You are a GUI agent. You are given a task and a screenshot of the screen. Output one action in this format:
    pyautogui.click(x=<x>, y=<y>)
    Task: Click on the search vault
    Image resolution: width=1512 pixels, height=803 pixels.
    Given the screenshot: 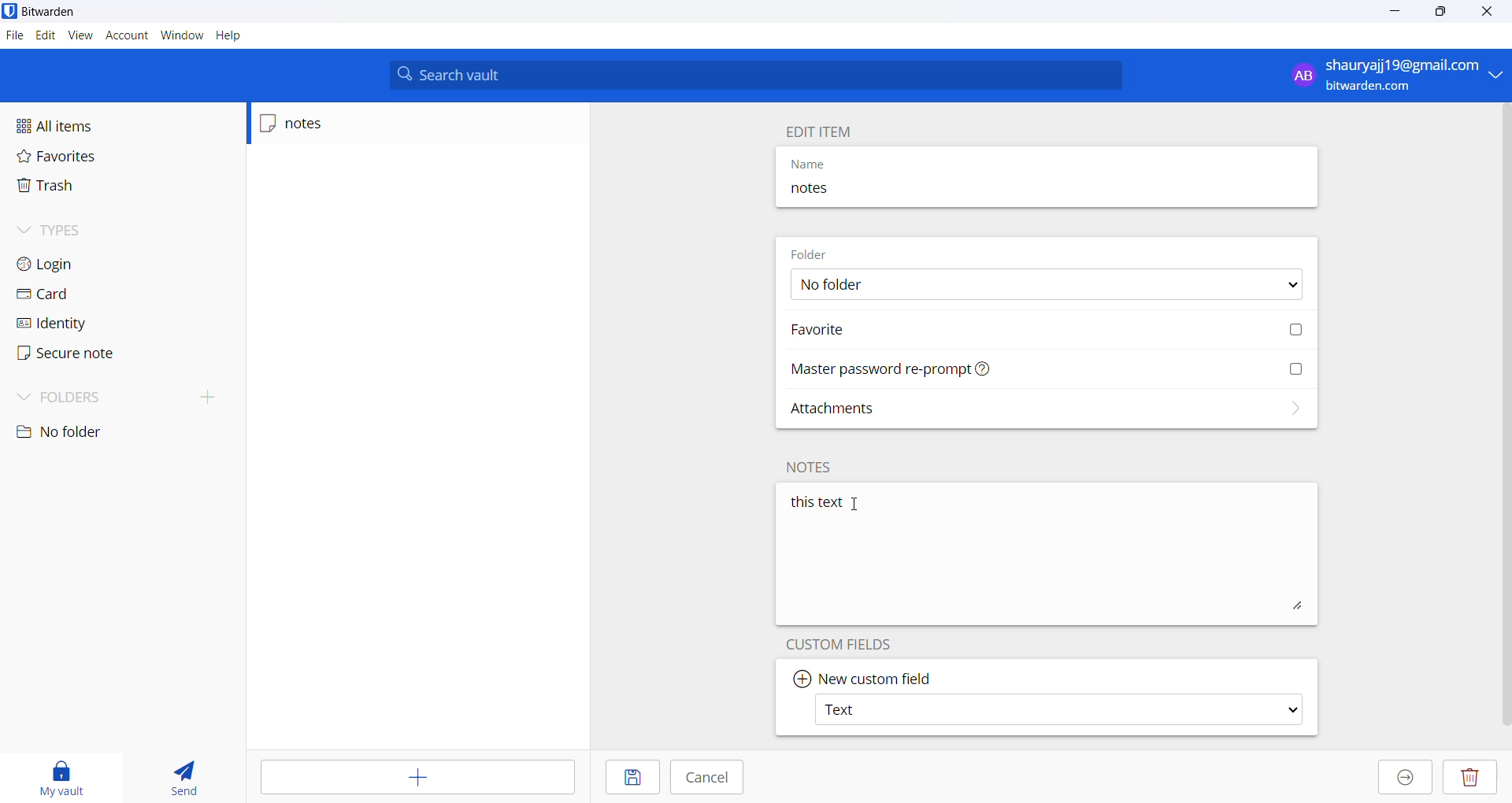 What is the action you would take?
    pyautogui.click(x=758, y=75)
    